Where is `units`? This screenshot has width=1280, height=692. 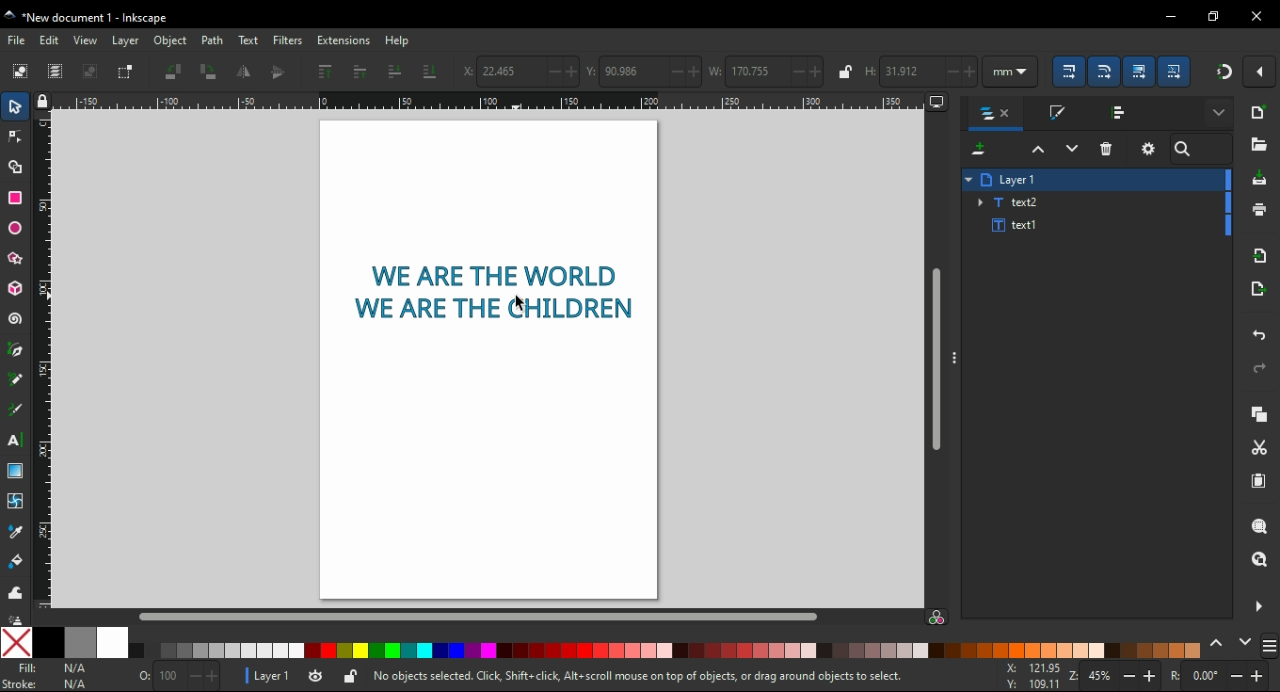 units is located at coordinates (1011, 71).